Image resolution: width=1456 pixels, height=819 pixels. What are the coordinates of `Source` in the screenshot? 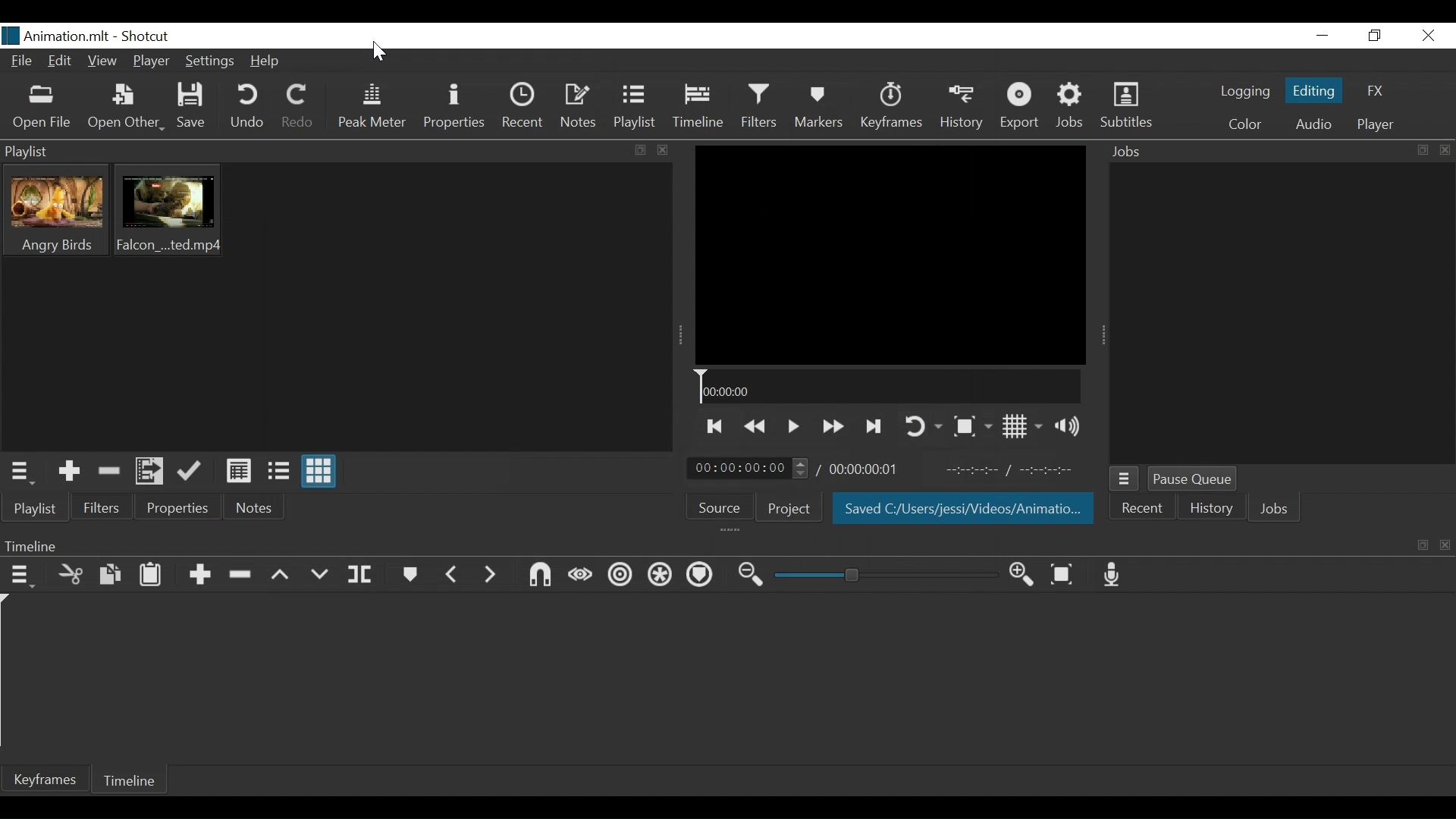 It's located at (717, 507).